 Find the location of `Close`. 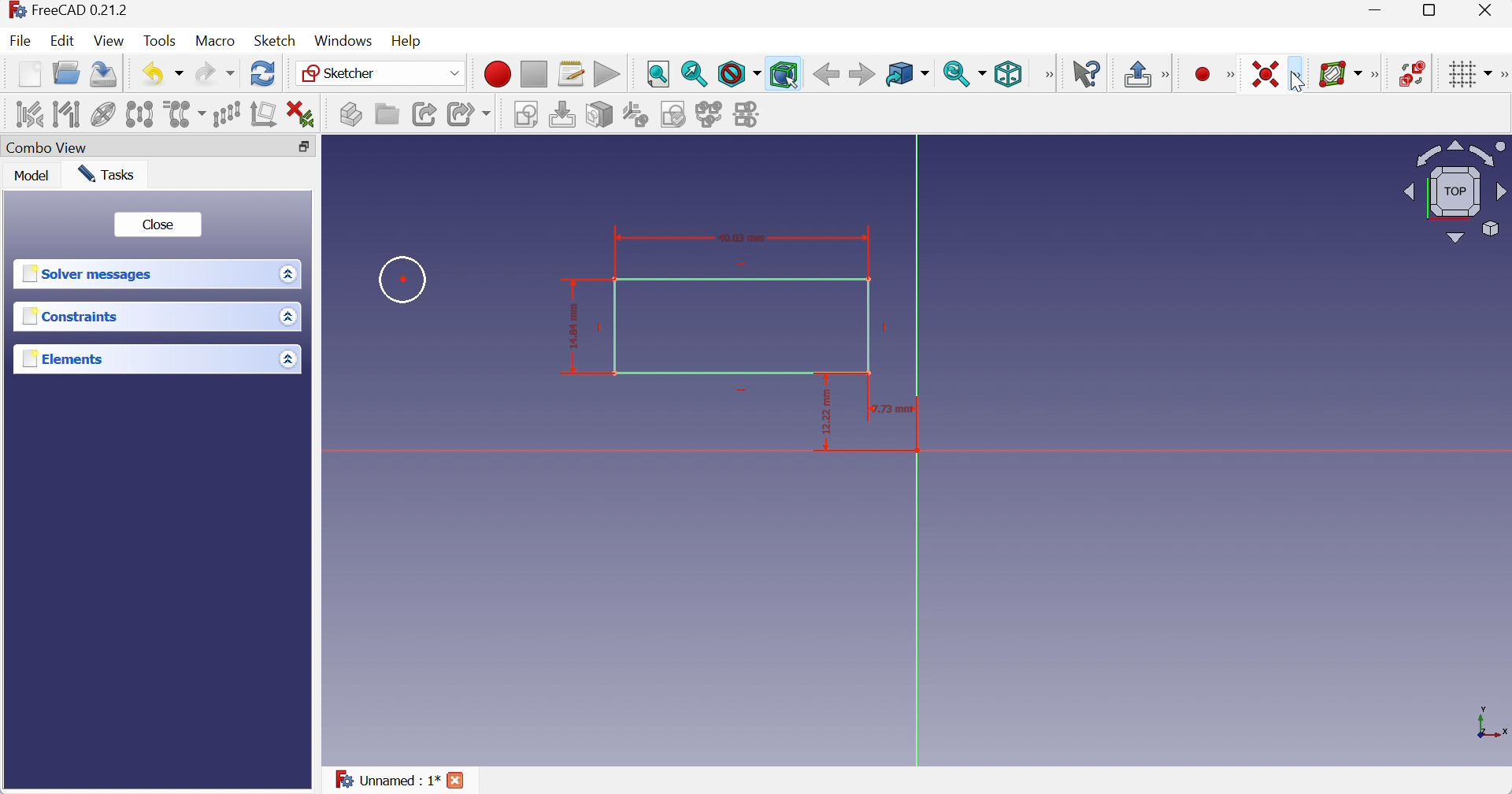

Close is located at coordinates (161, 224).